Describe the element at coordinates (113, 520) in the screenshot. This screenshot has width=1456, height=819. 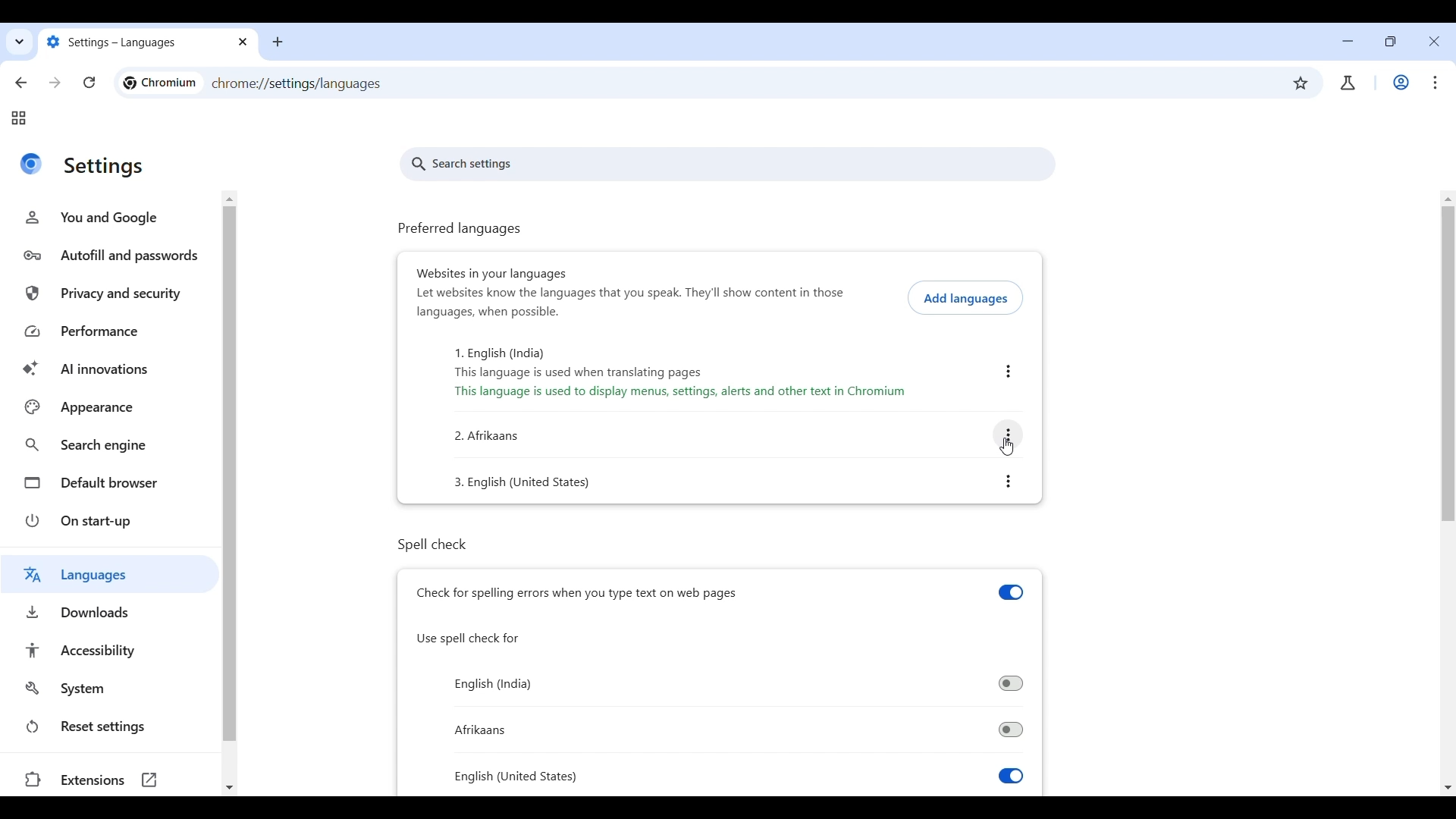
I see `On start up` at that location.